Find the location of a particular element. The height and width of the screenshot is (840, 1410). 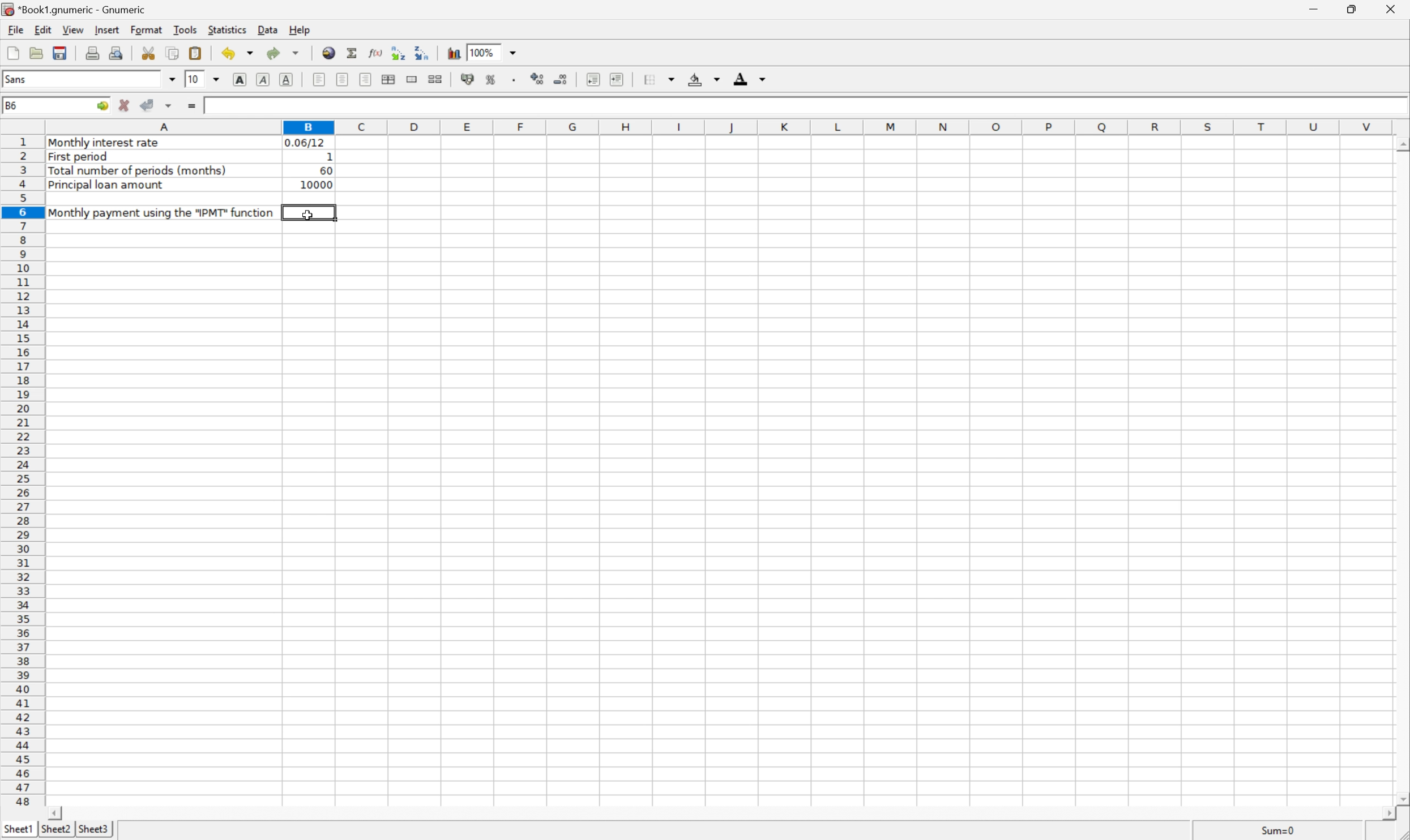

Insert a hyperlink is located at coordinates (327, 52).